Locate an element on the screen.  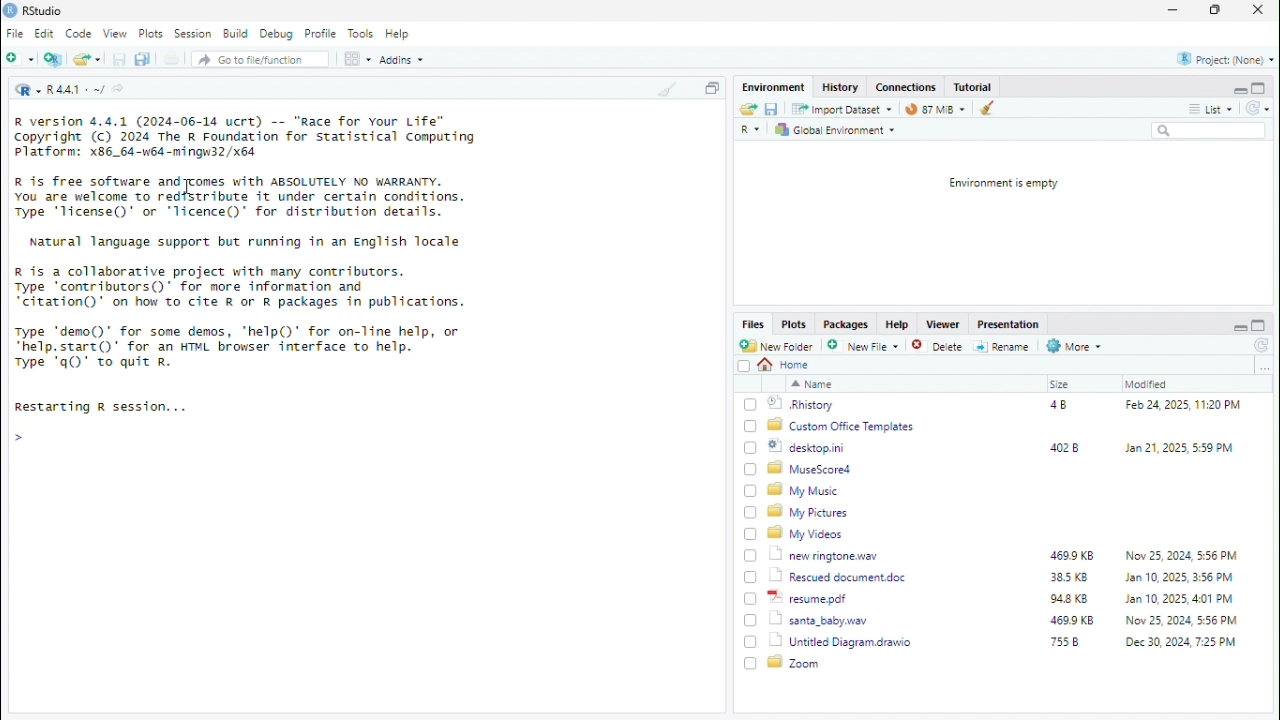
89 MiB is located at coordinates (935, 108).